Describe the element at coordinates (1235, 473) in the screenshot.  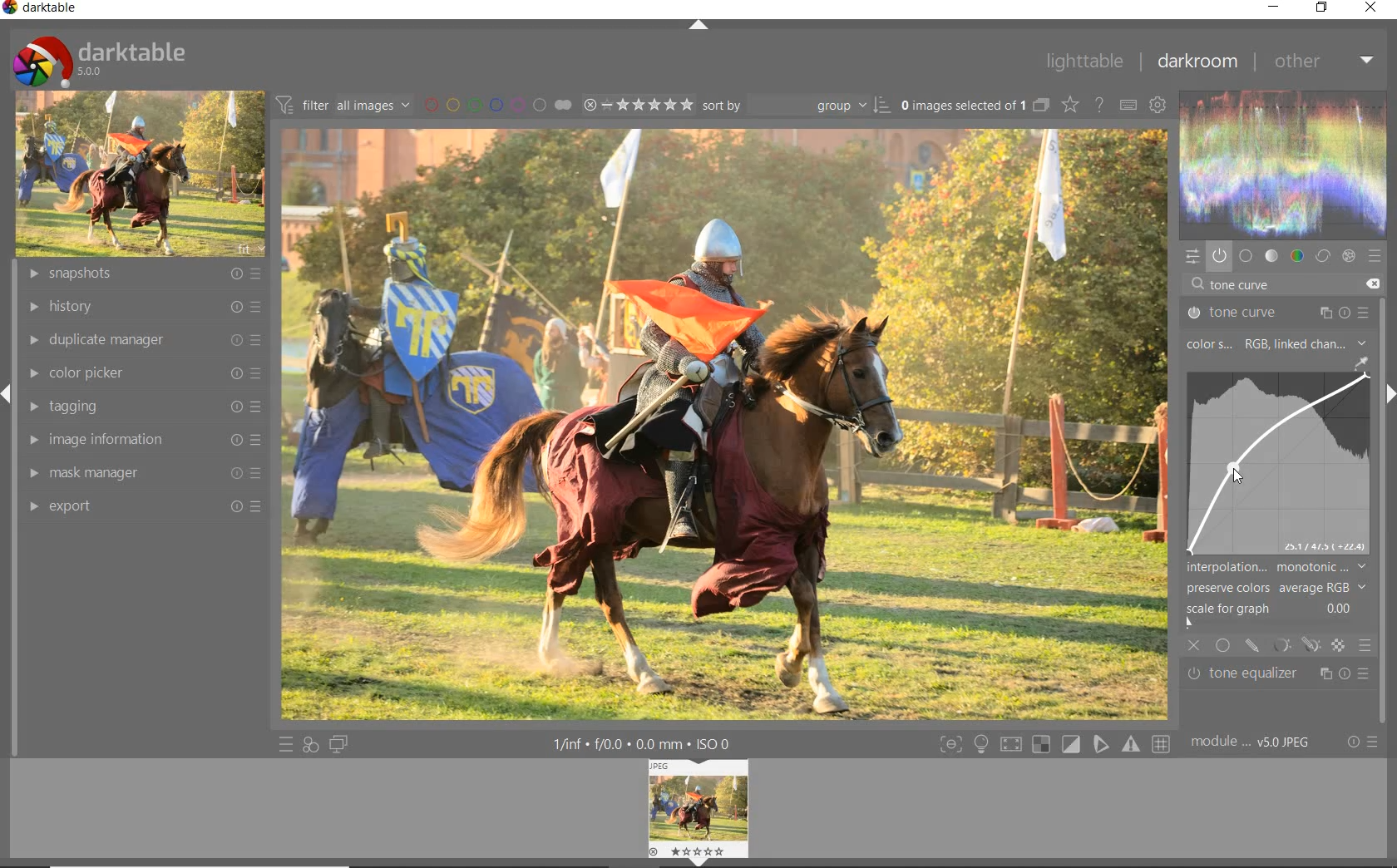
I see `cursor` at that location.